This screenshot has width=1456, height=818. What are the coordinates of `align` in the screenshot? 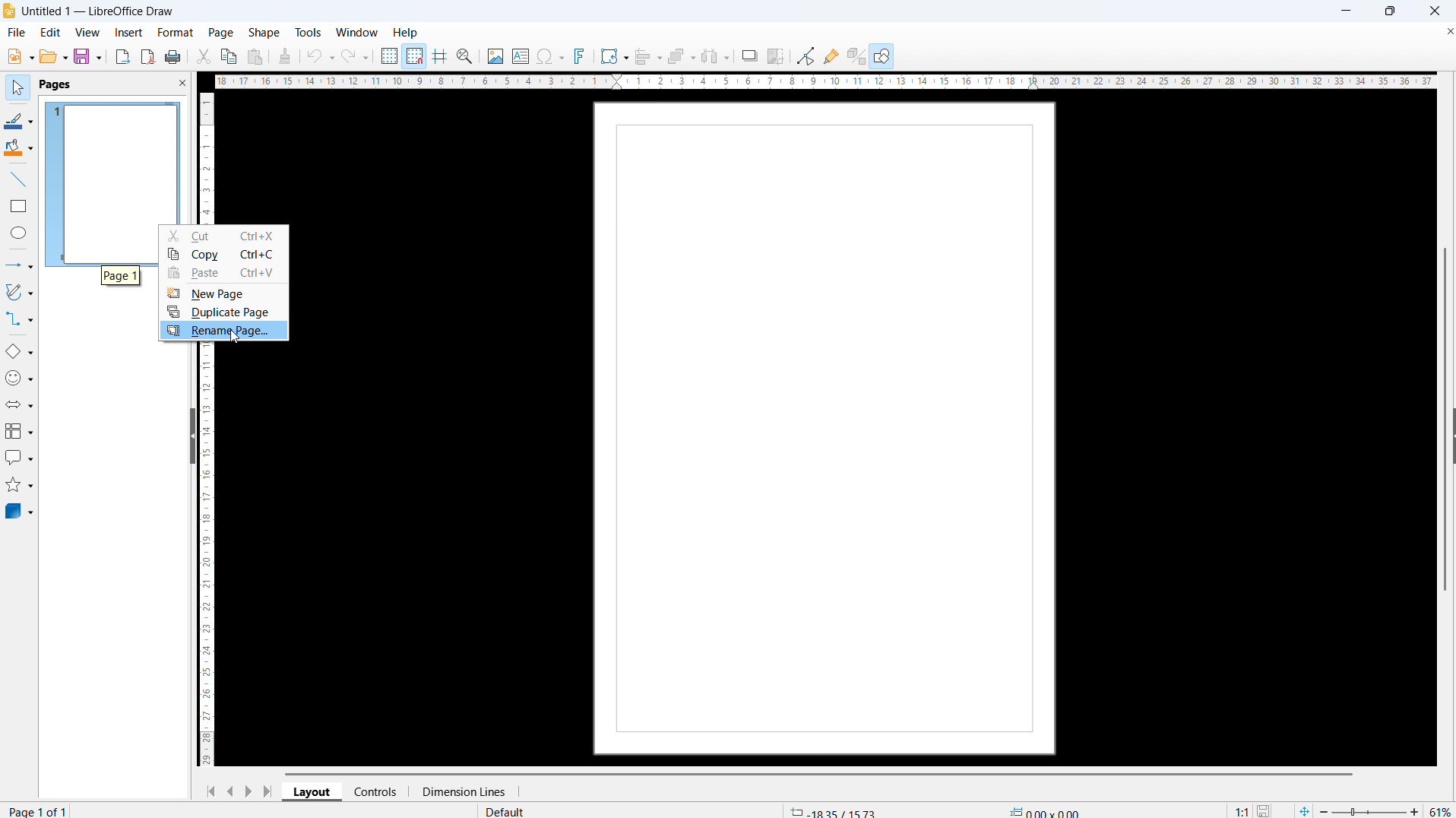 It's located at (648, 56).